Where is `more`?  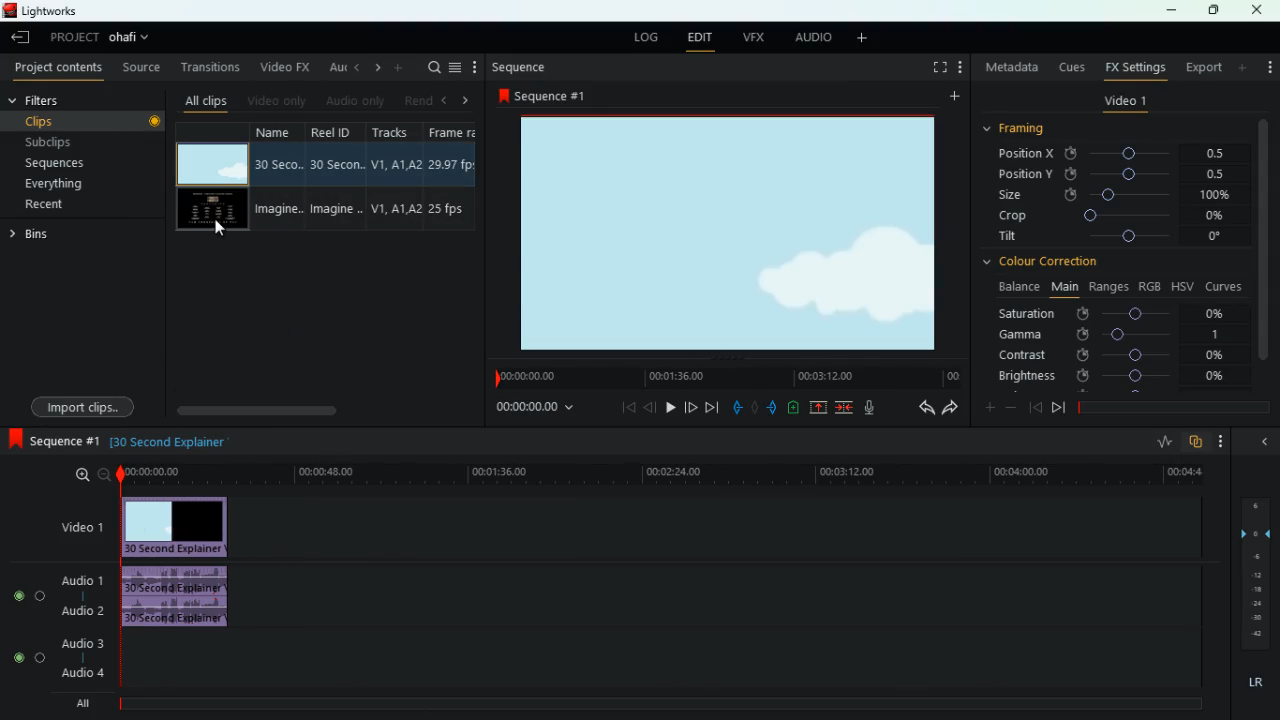
more is located at coordinates (400, 67).